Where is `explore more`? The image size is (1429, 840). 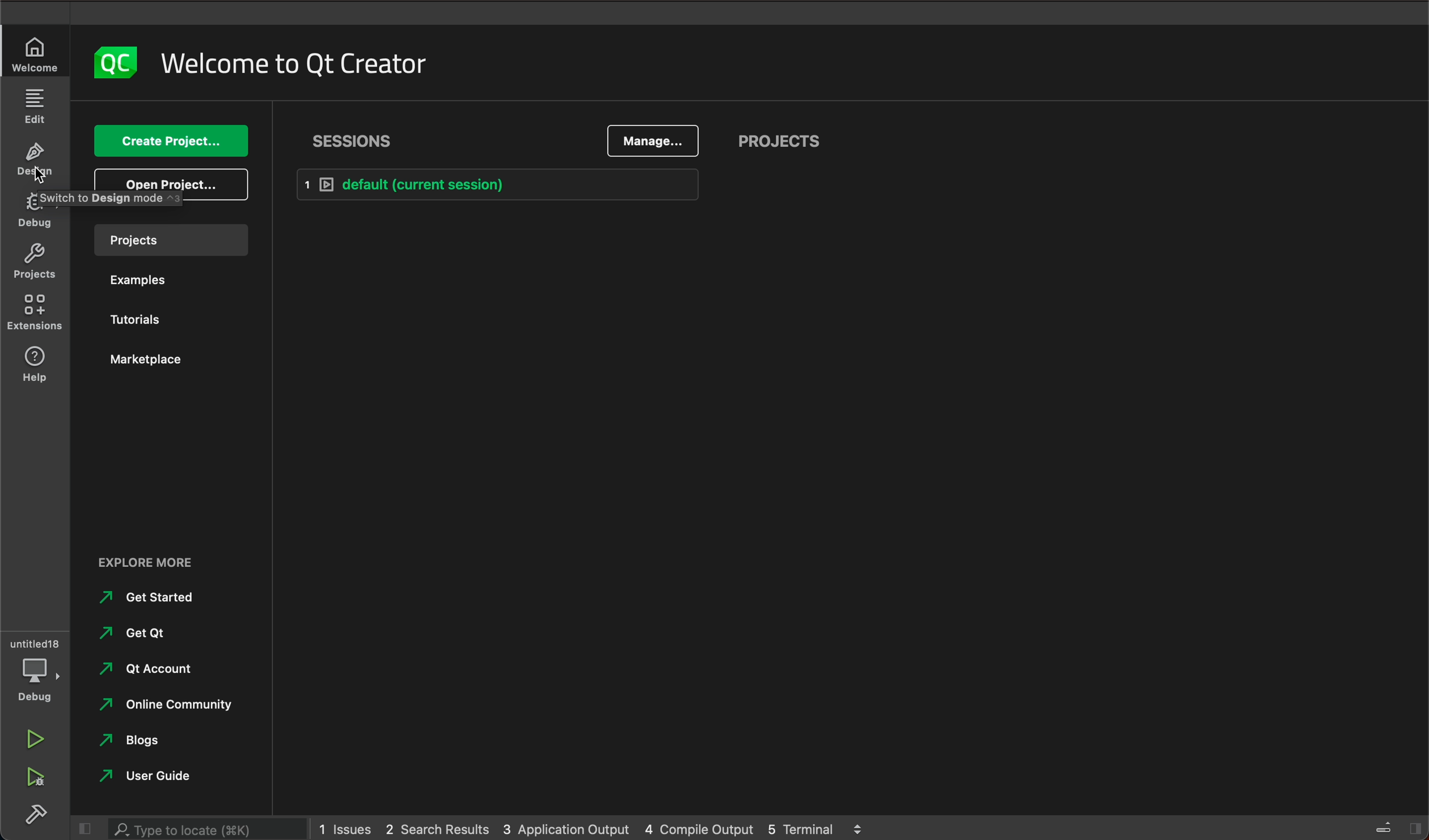
explore more is located at coordinates (154, 562).